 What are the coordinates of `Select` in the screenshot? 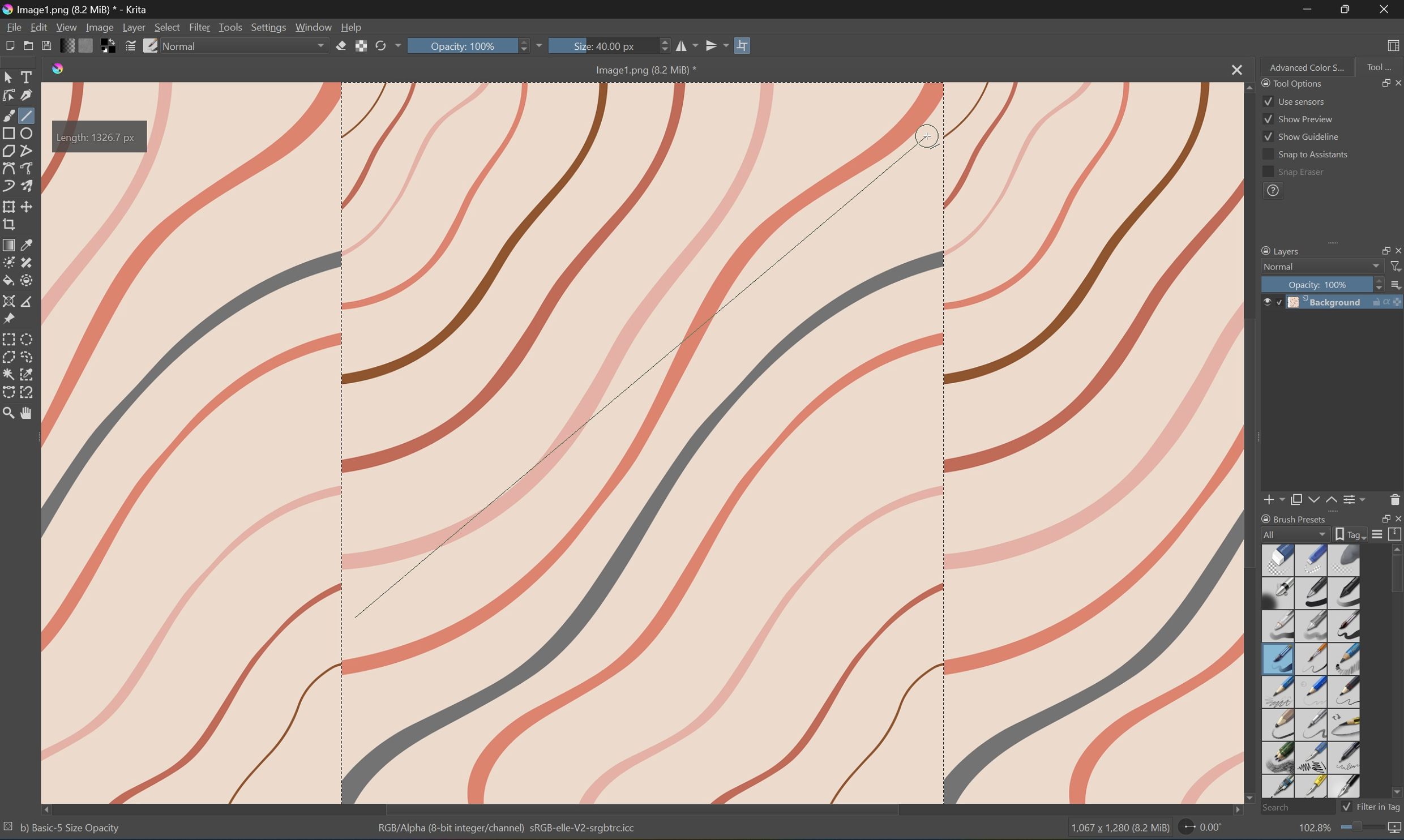 It's located at (167, 27).